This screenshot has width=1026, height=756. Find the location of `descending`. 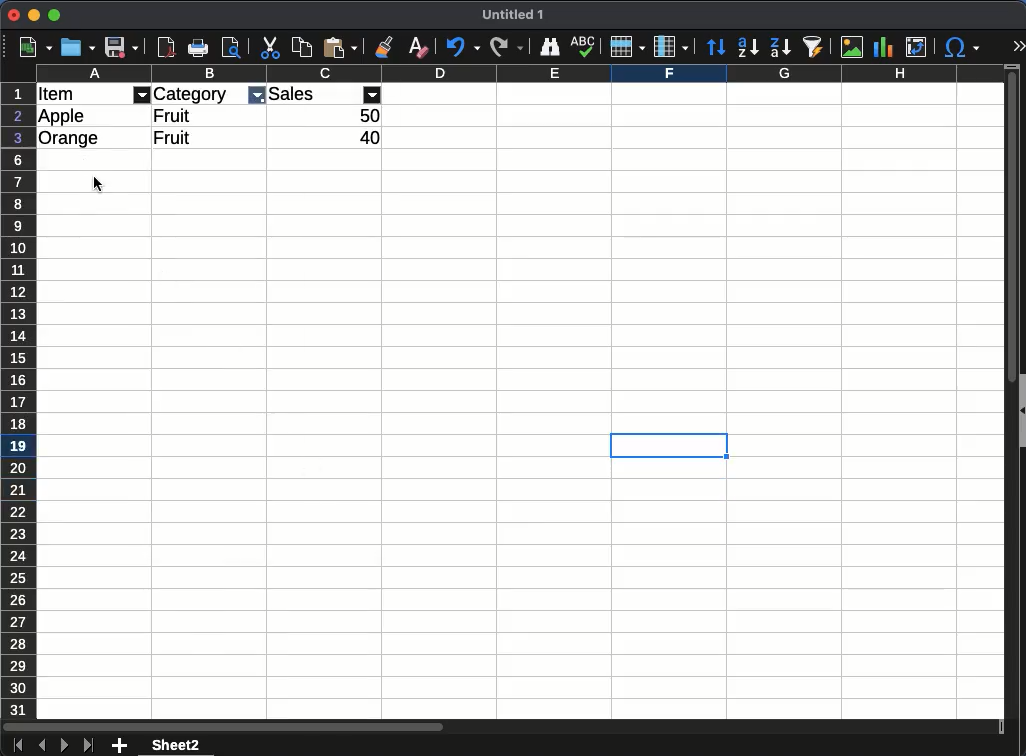

descending is located at coordinates (780, 48).